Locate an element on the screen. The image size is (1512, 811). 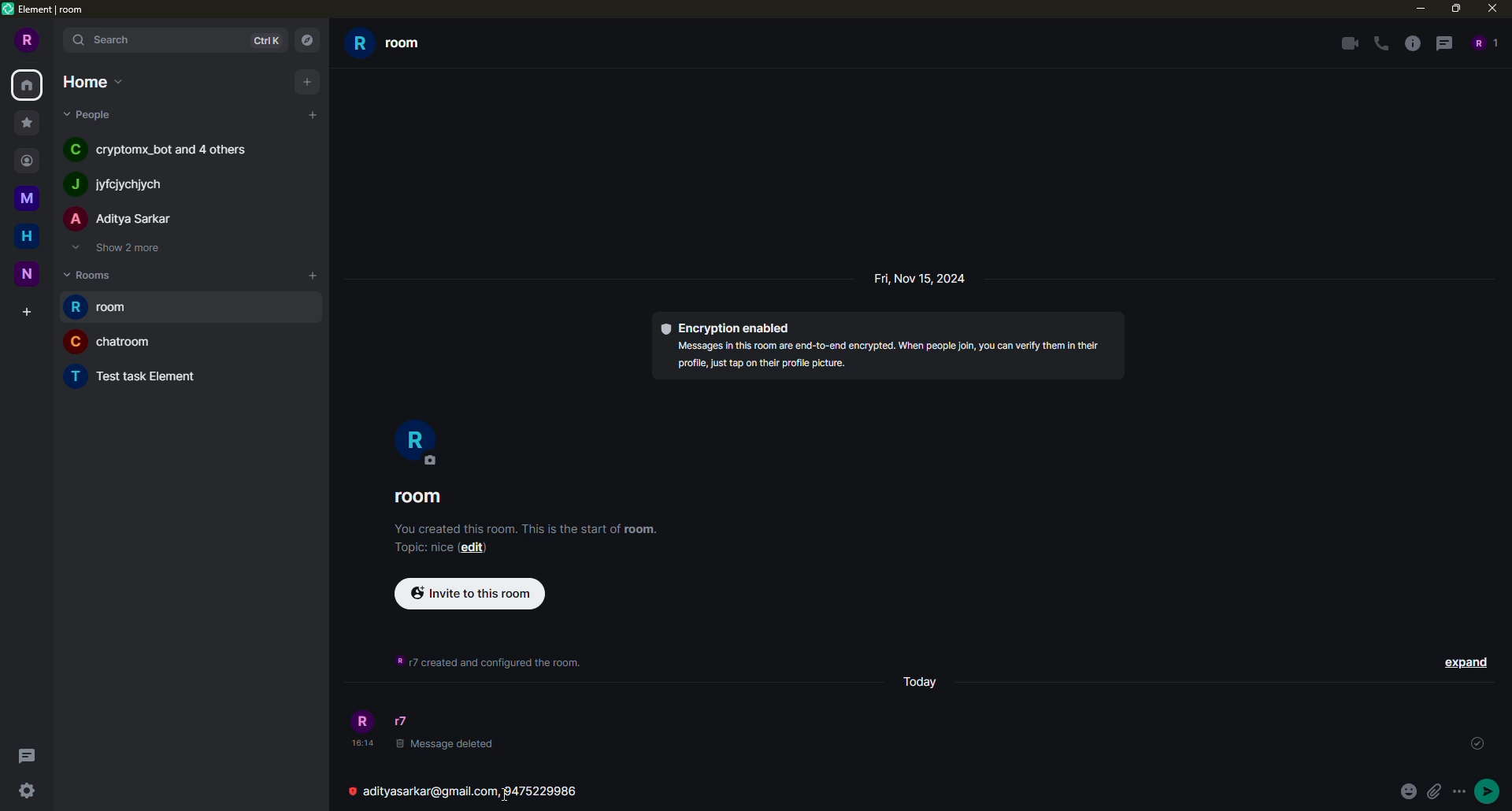
email, contact number is located at coordinates (479, 794).